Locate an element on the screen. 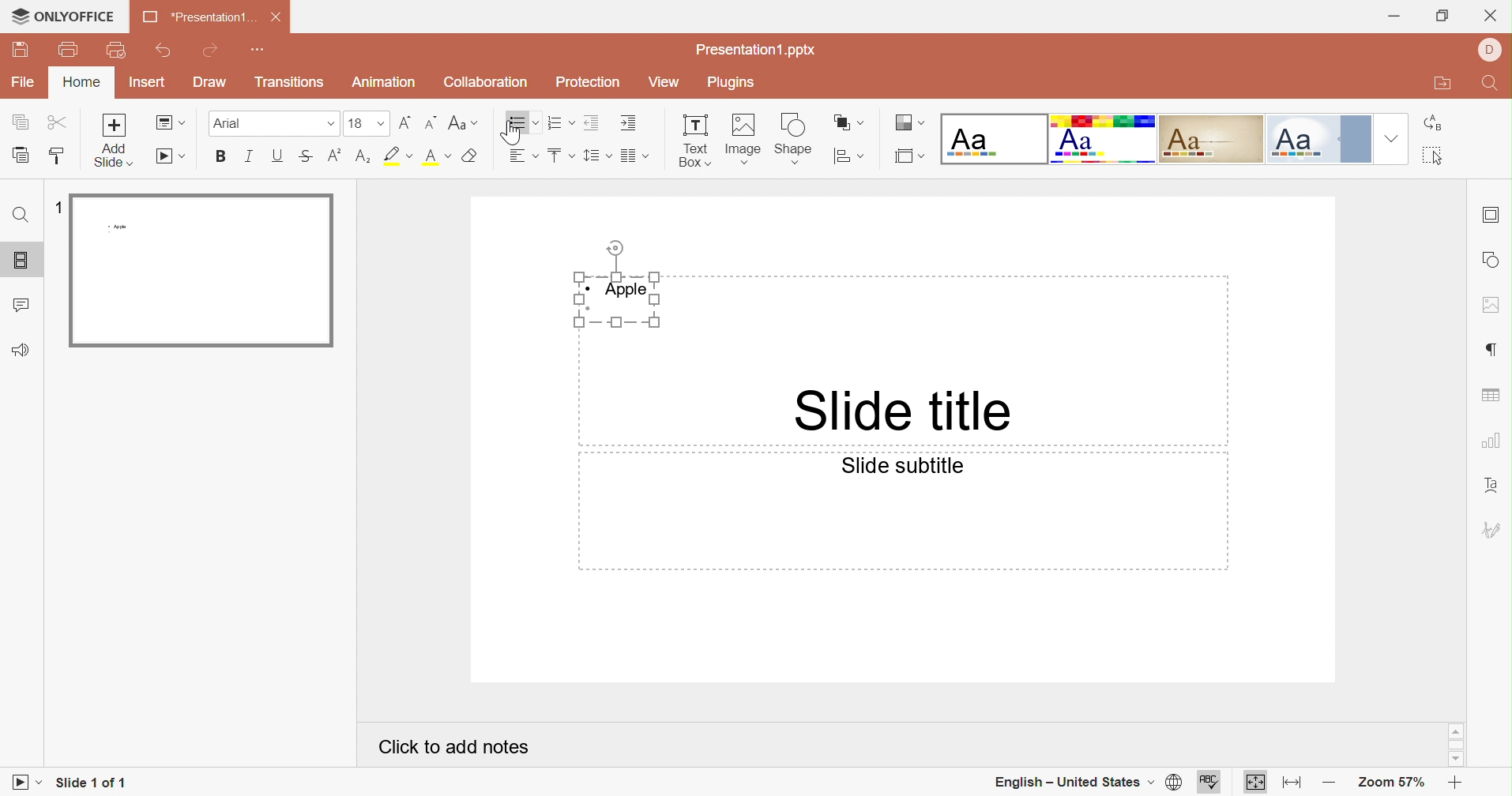  Slide is located at coordinates (201, 270).